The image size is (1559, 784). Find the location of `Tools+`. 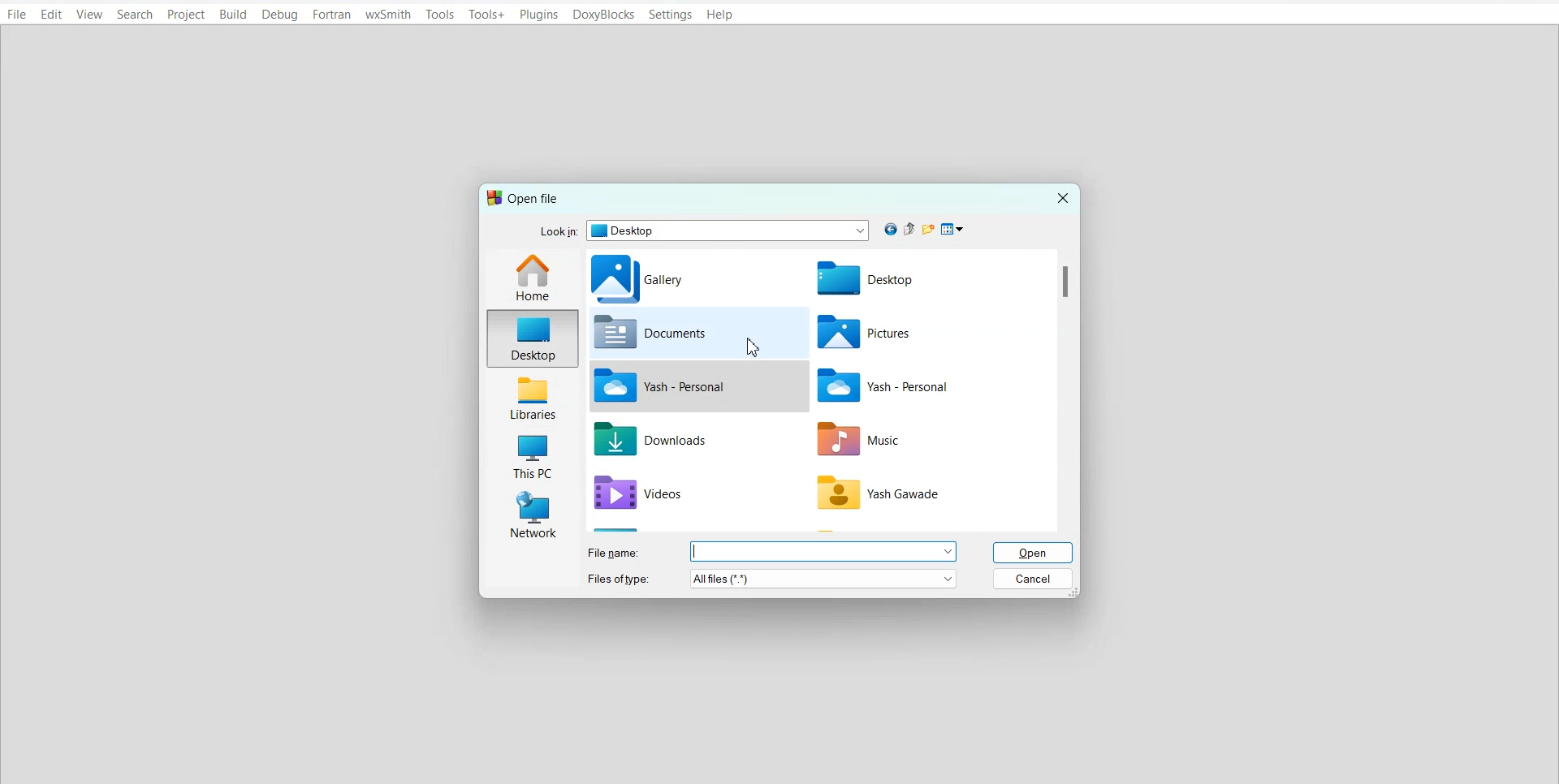

Tools+ is located at coordinates (487, 15).